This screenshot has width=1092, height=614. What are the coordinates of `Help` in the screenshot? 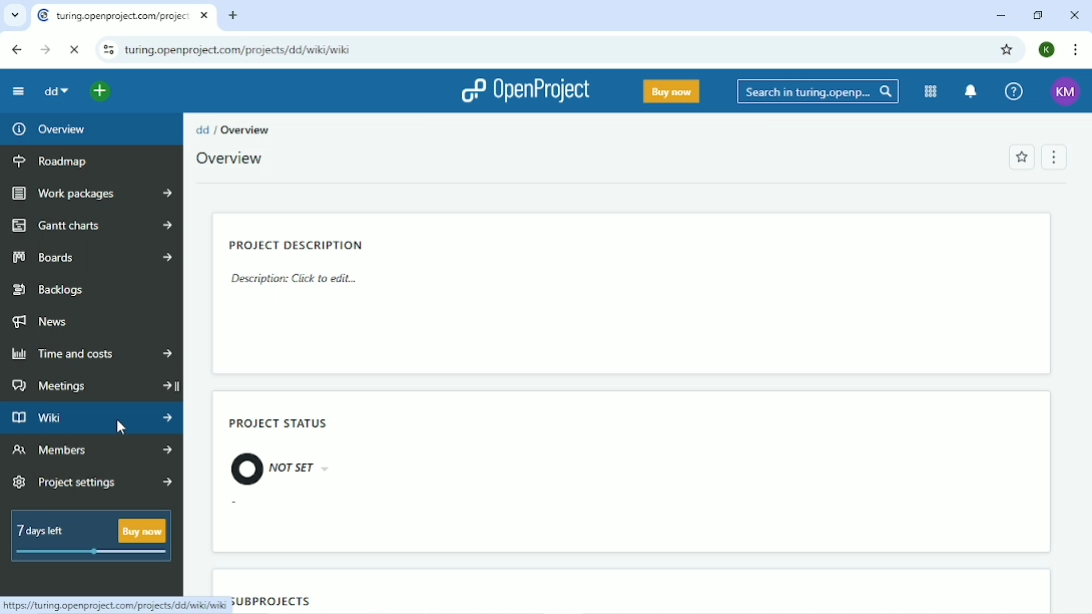 It's located at (1015, 90).